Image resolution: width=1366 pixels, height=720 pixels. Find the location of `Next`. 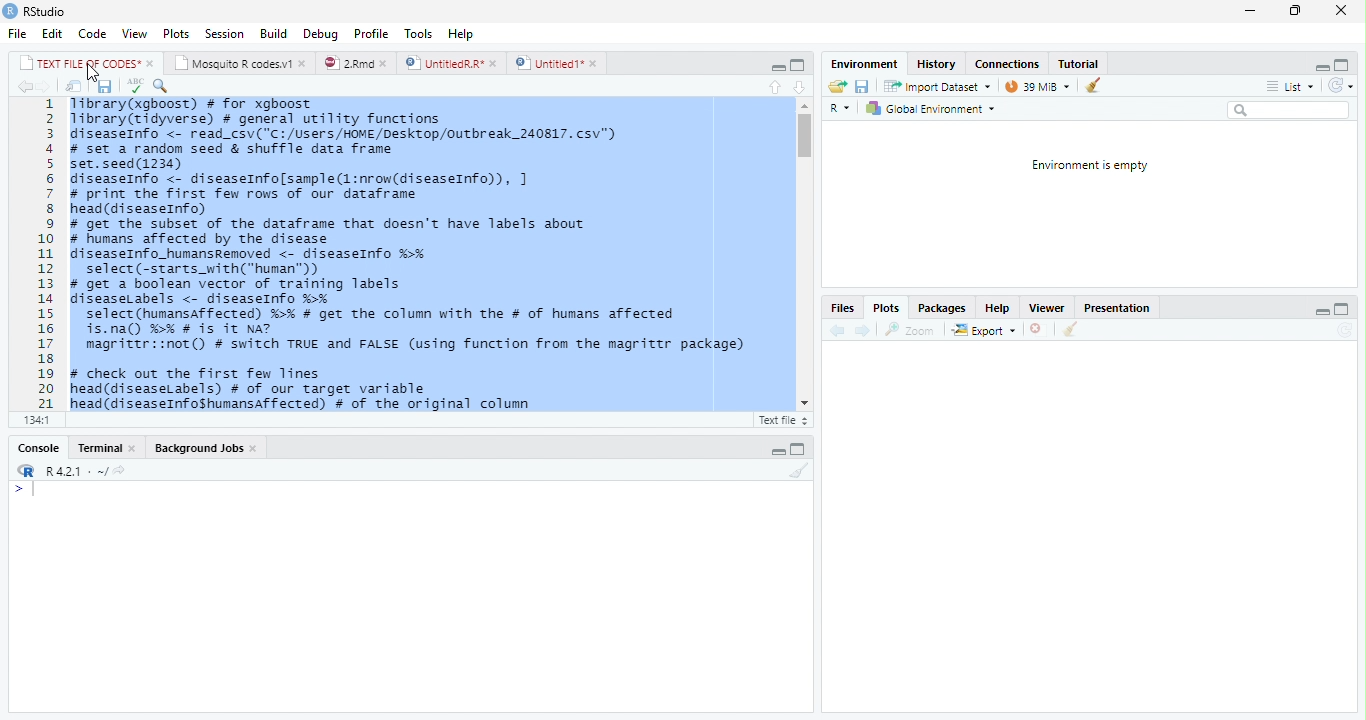

Next is located at coordinates (49, 86).